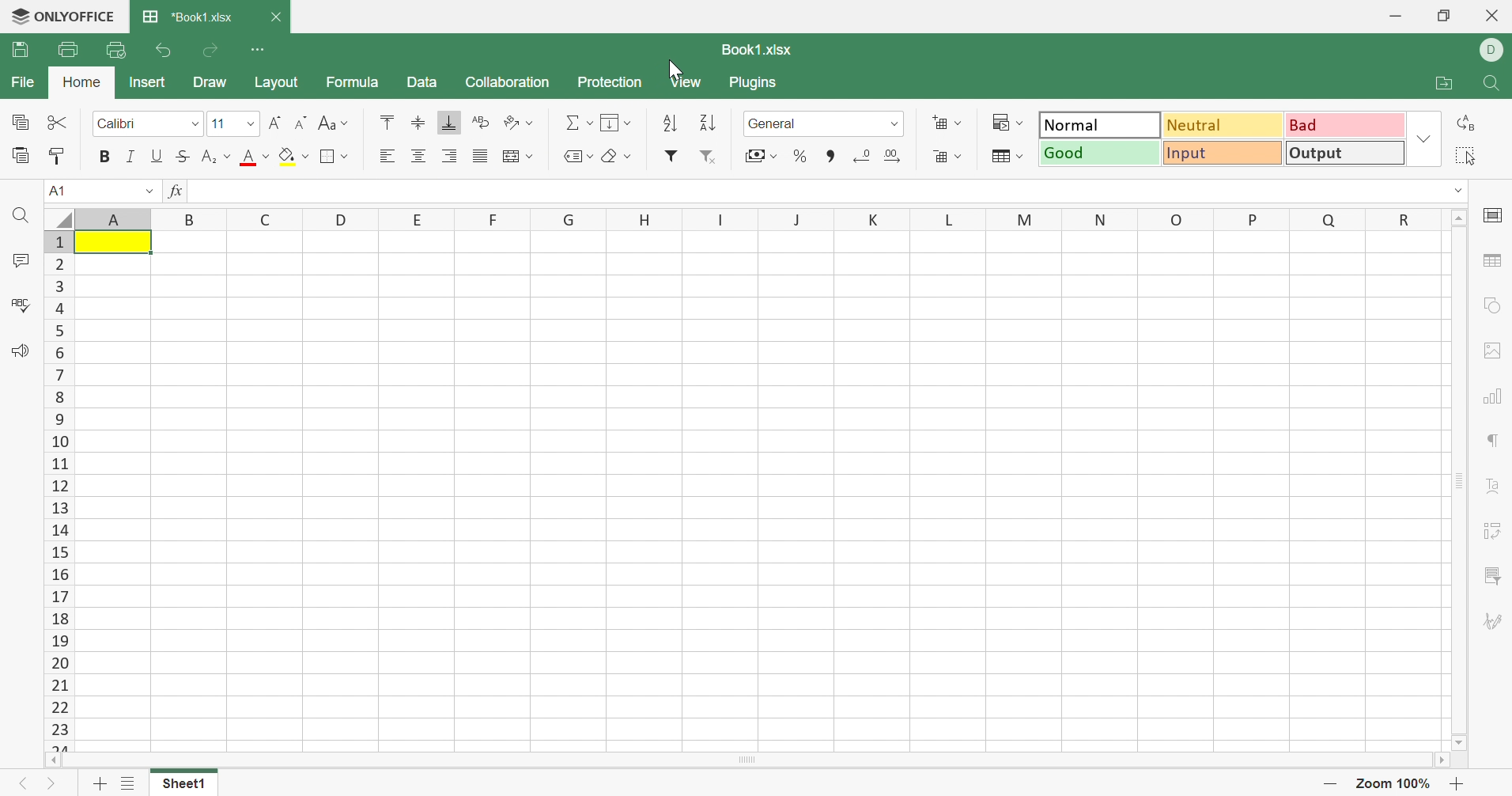 This screenshot has height=796, width=1512. Describe the element at coordinates (178, 191) in the screenshot. I see `fx` at that location.